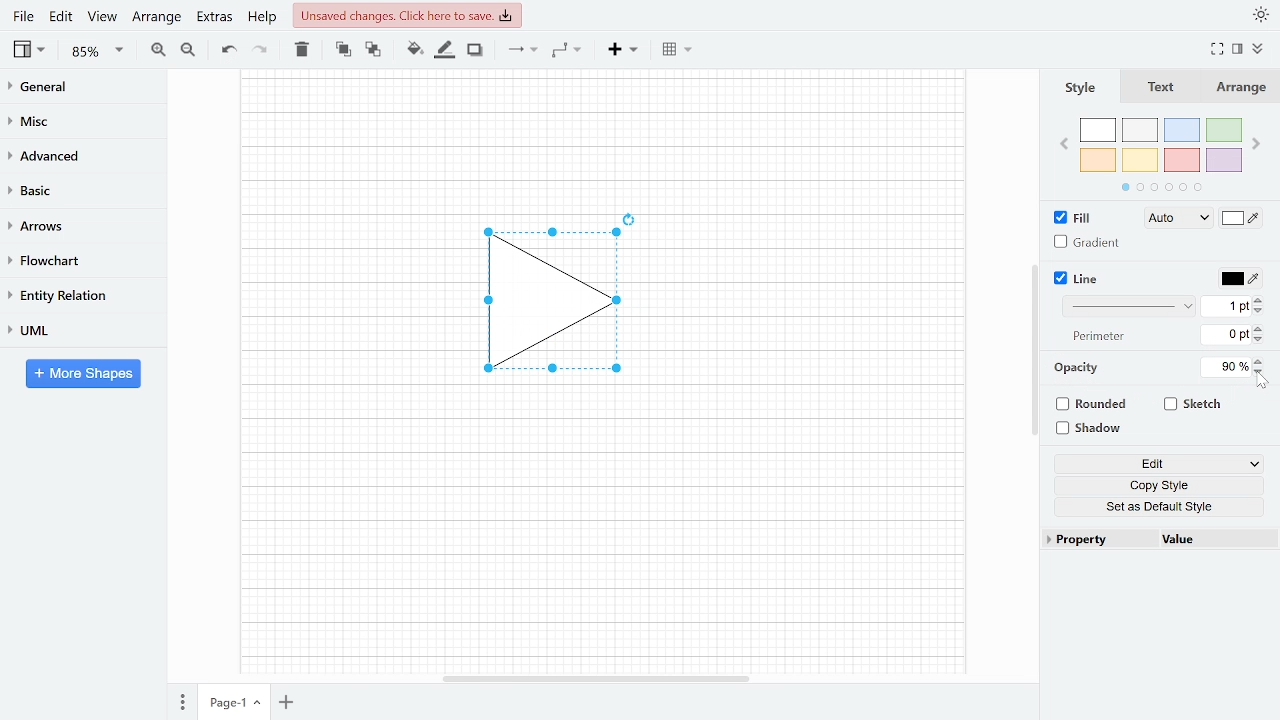 The width and height of the screenshot is (1280, 720). What do you see at coordinates (1260, 360) in the screenshot?
I see `Increase Opacity` at bounding box center [1260, 360].